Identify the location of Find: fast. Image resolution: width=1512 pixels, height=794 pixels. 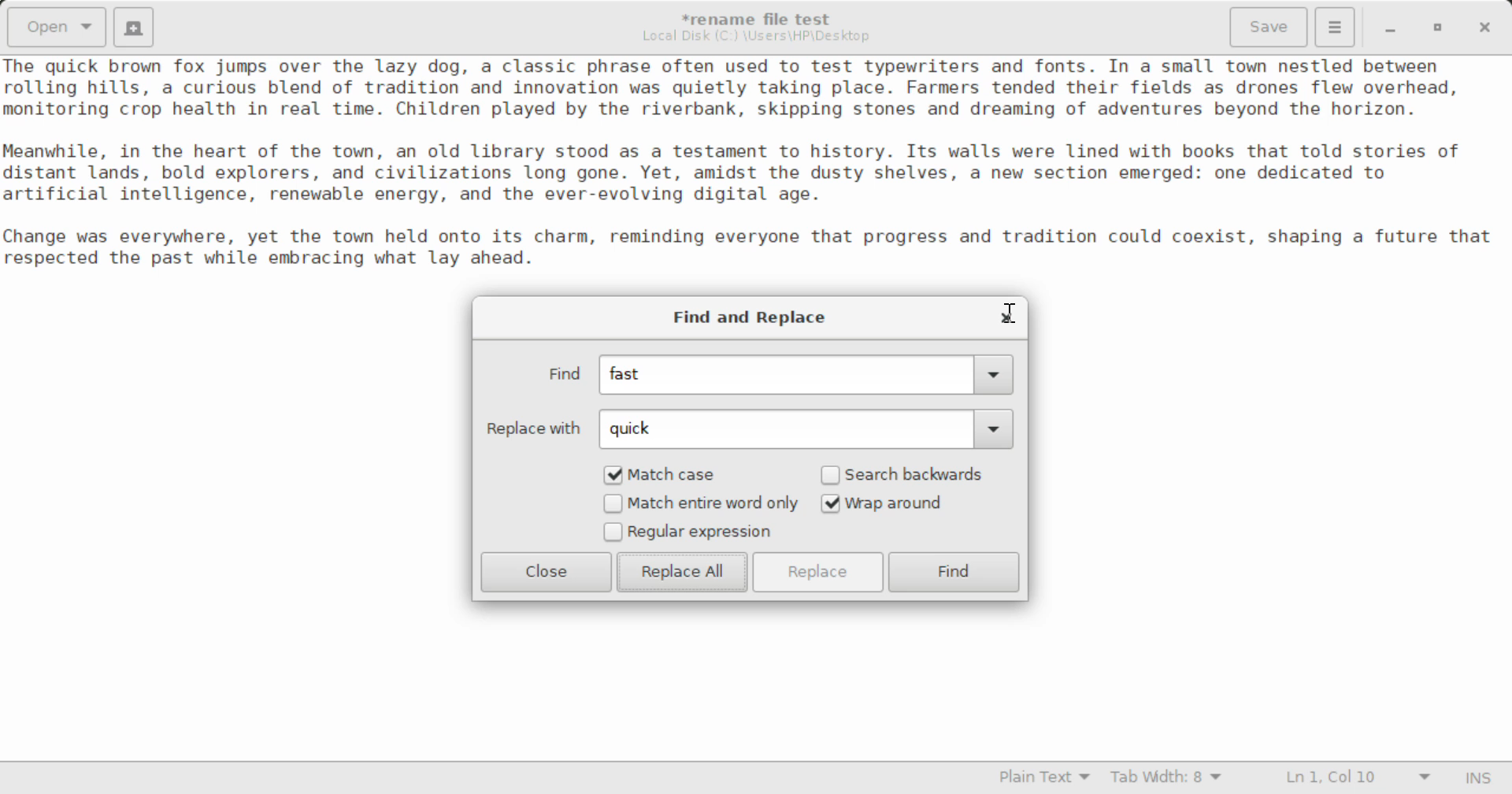
(772, 376).